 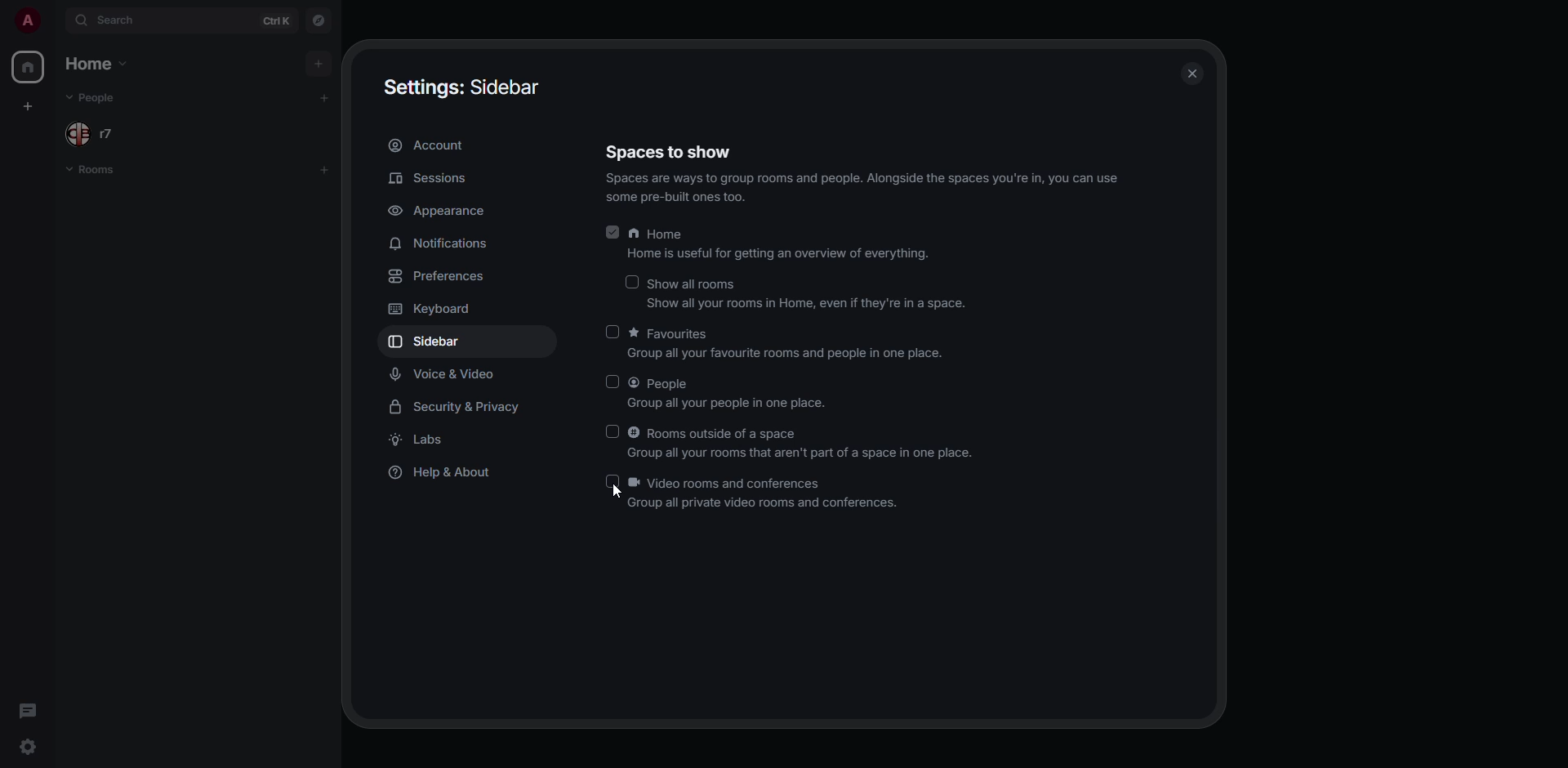 I want to click on create space, so click(x=32, y=107).